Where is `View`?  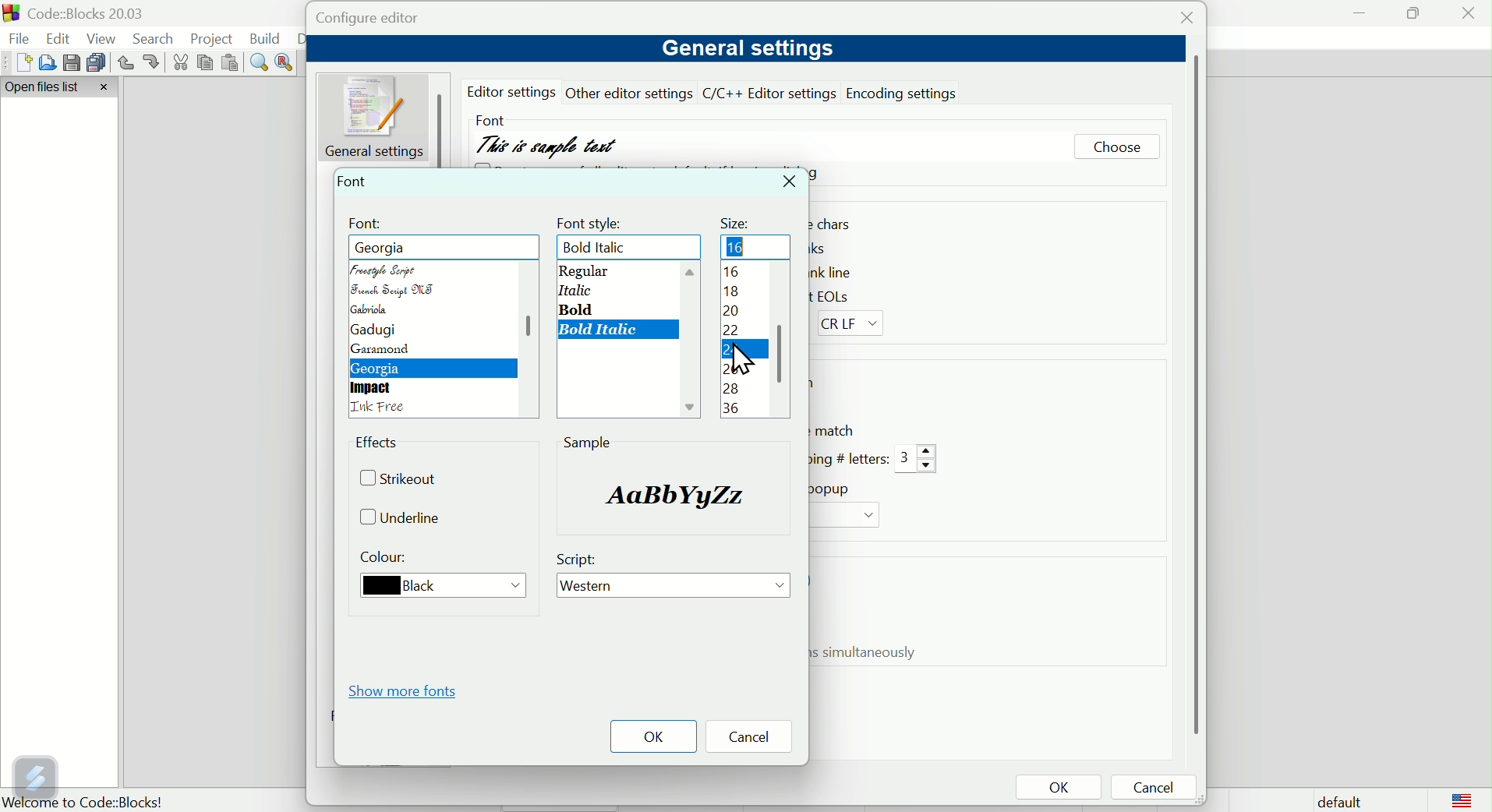
View is located at coordinates (104, 38).